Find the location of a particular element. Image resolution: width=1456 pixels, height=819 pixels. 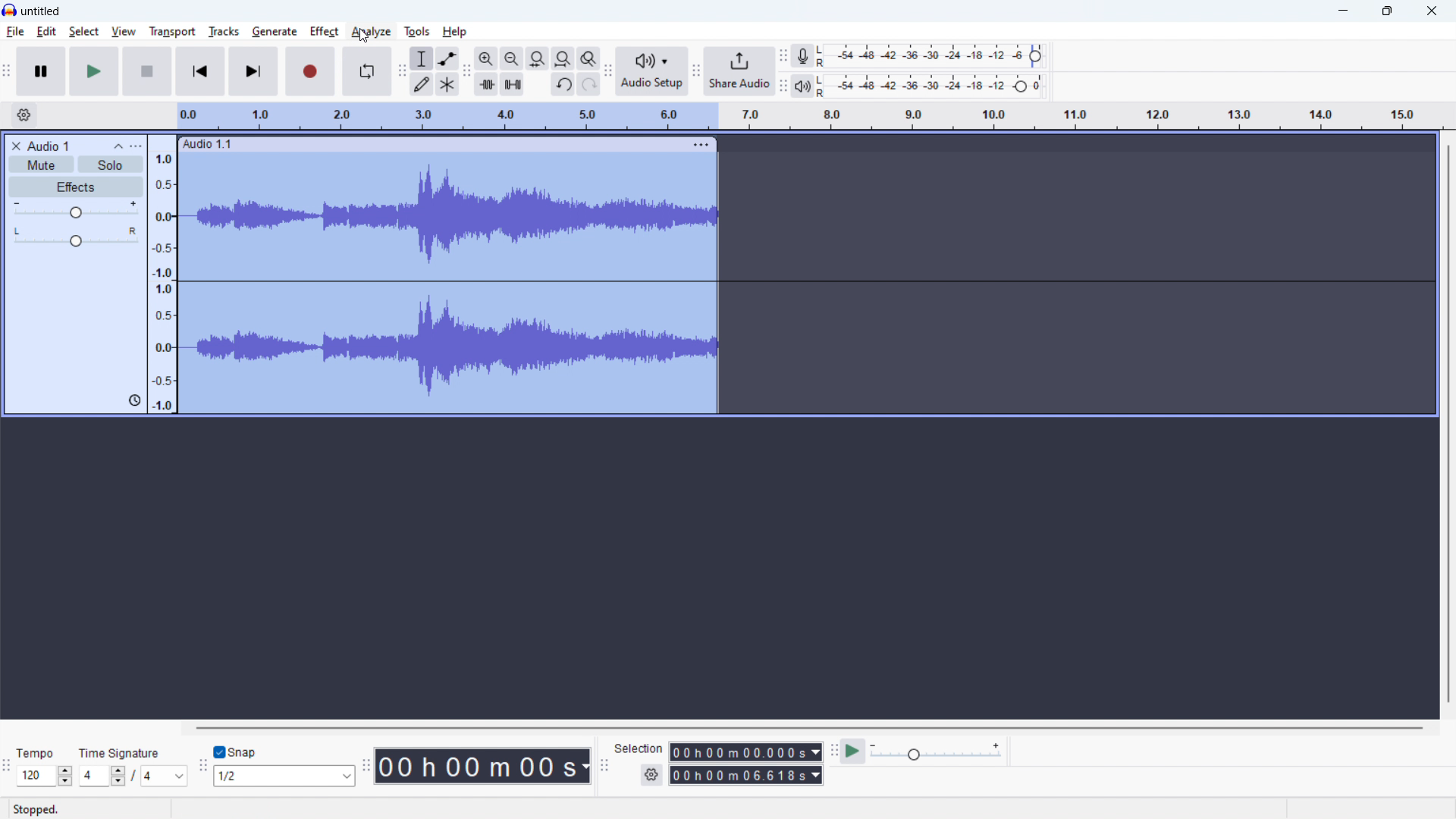

edit toolbar is located at coordinates (468, 72).